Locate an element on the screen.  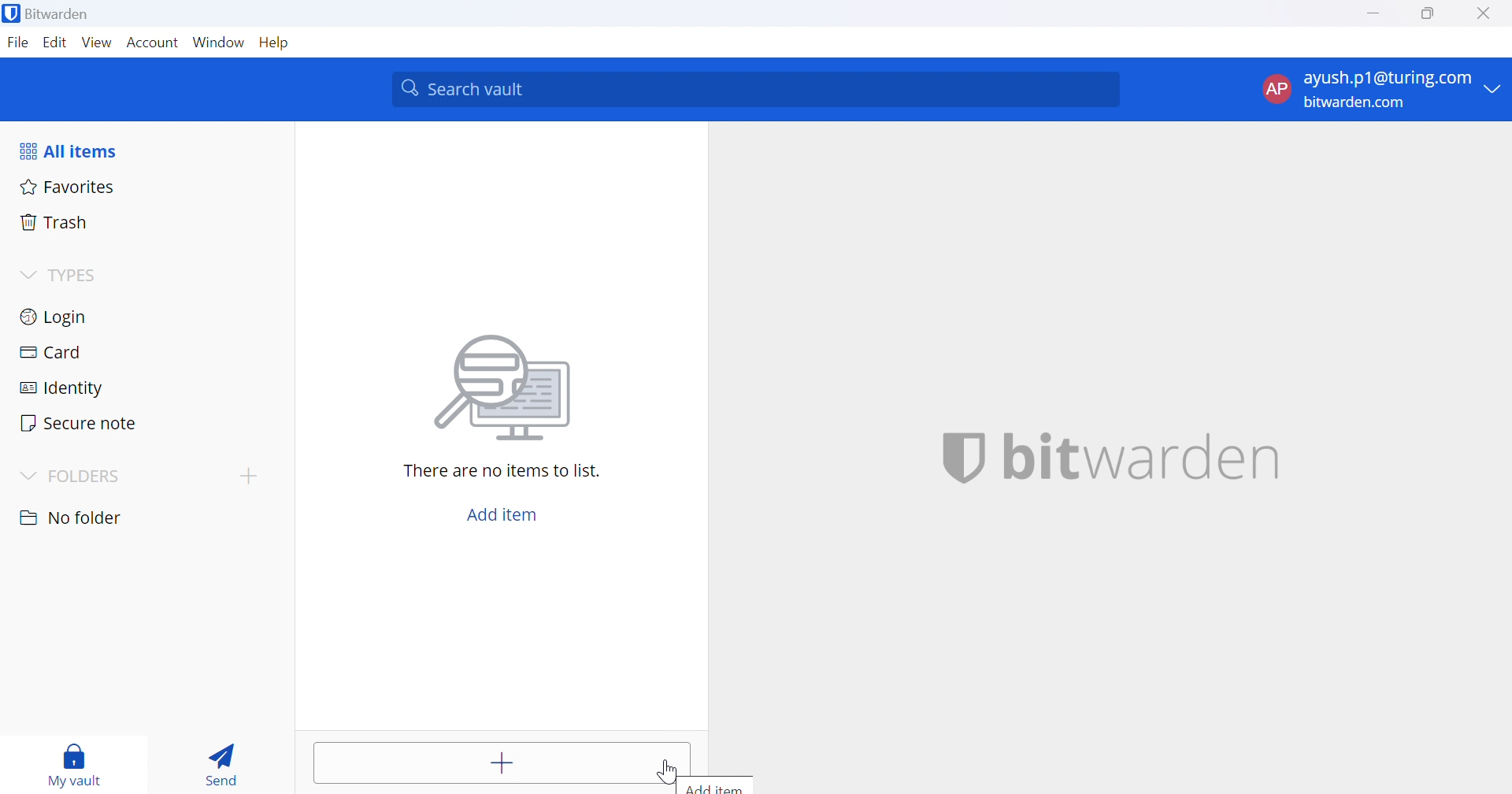
TYPES is located at coordinates (77, 276).